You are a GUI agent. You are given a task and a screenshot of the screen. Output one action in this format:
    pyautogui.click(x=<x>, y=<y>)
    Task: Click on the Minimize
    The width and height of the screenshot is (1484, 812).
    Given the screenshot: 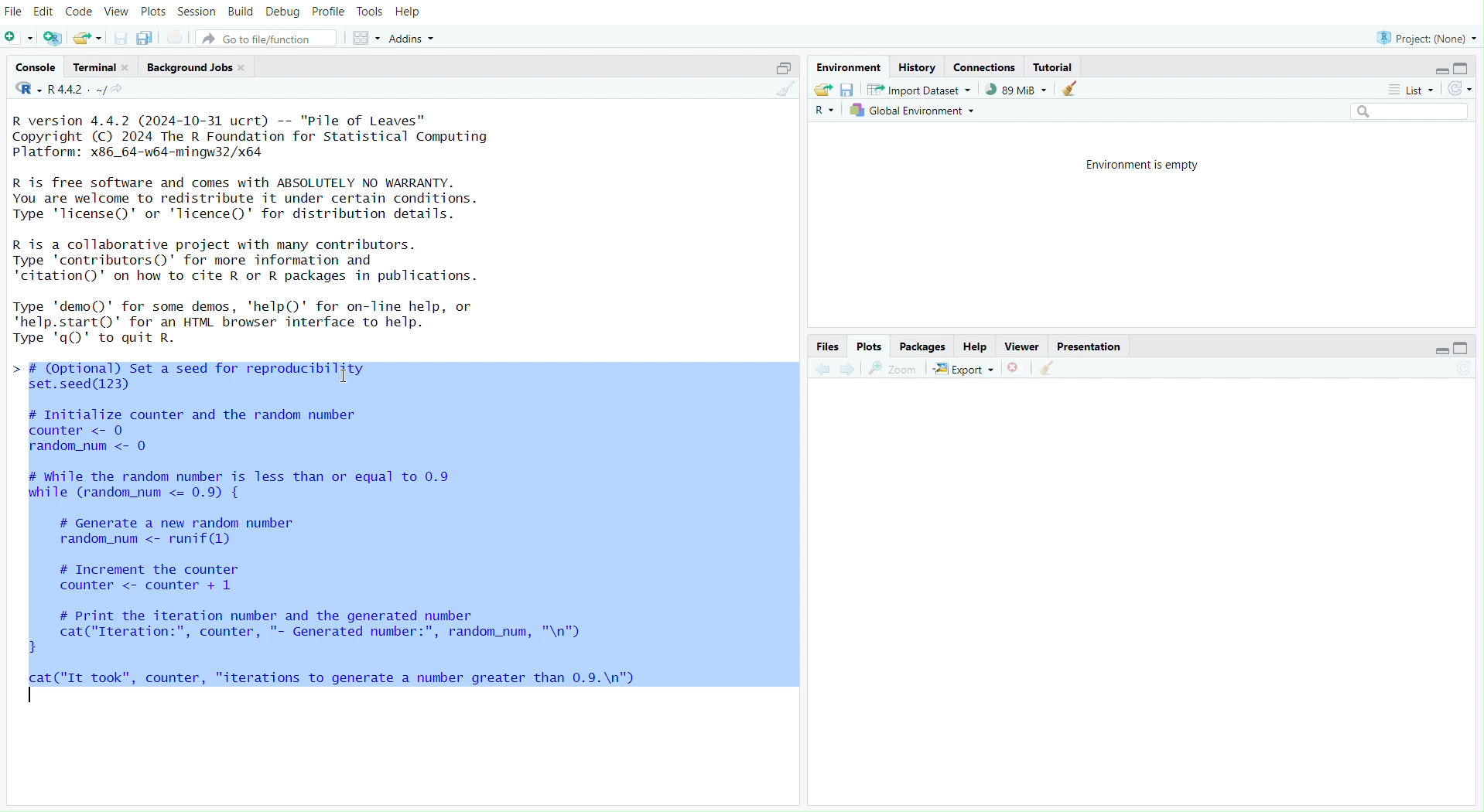 What is the action you would take?
    pyautogui.click(x=1443, y=350)
    